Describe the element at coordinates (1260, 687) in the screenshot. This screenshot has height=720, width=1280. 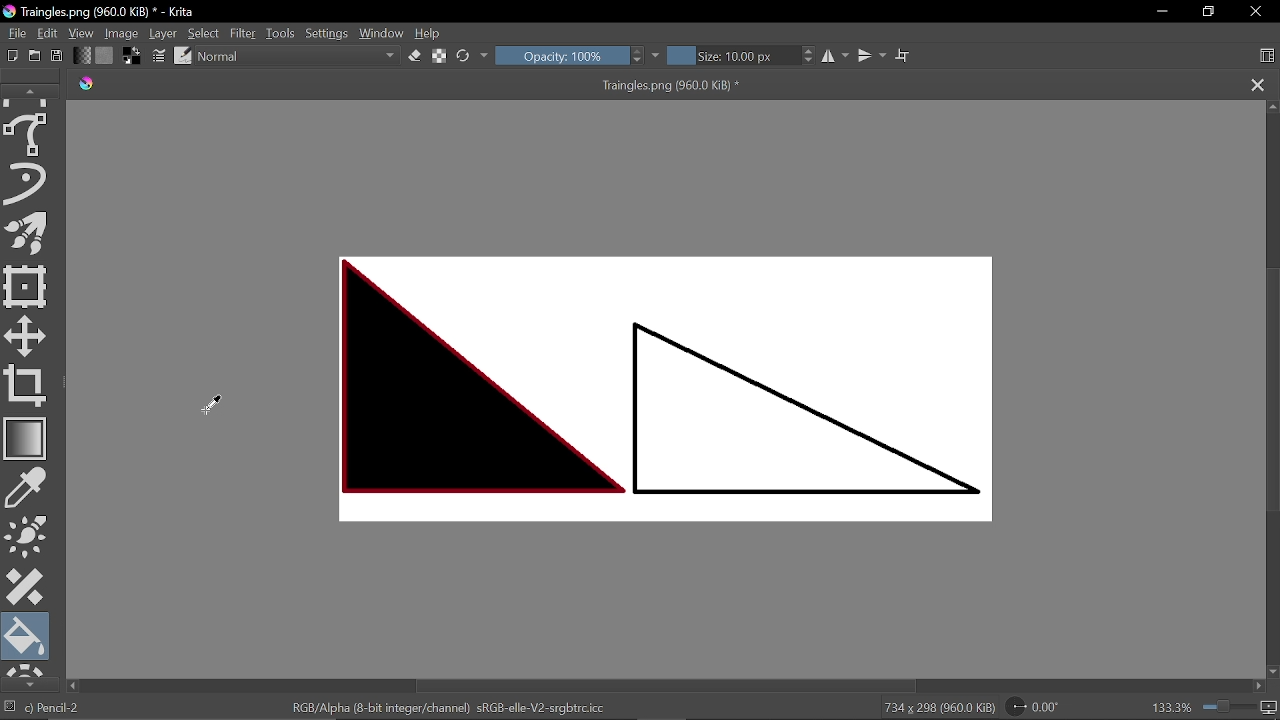
I see `move right` at that location.